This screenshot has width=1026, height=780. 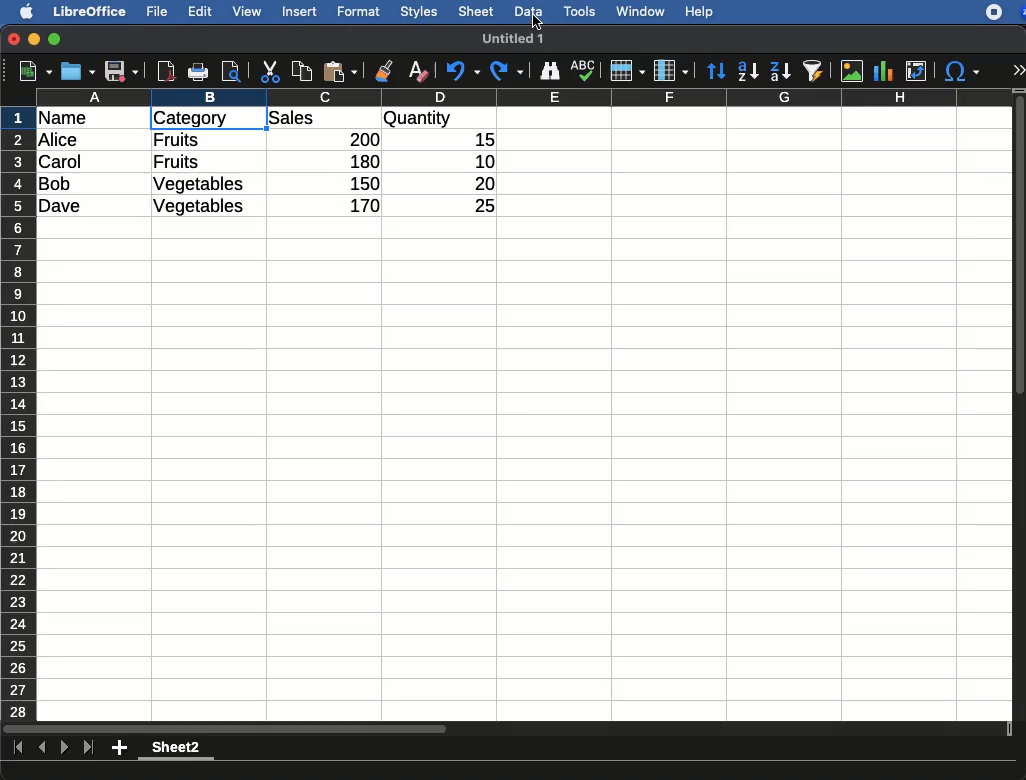 What do you see at coordinates (15, 41) in the screenshot?
I see `close` at bounding box center [15, 41].